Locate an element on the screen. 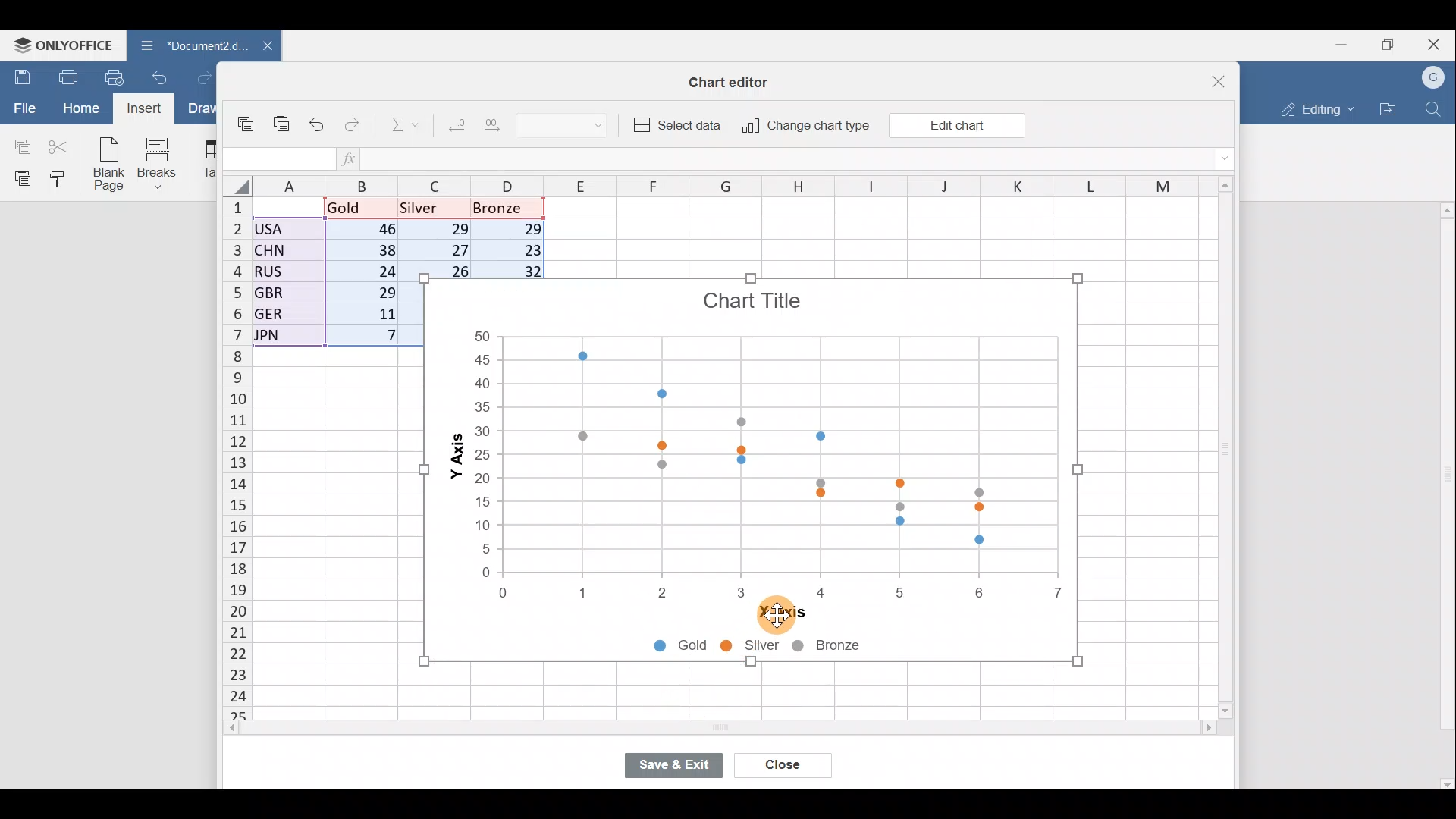 Image resolution: width=1456 pixels, height=819 pixels. Undo is located at coordinates (318, 122).